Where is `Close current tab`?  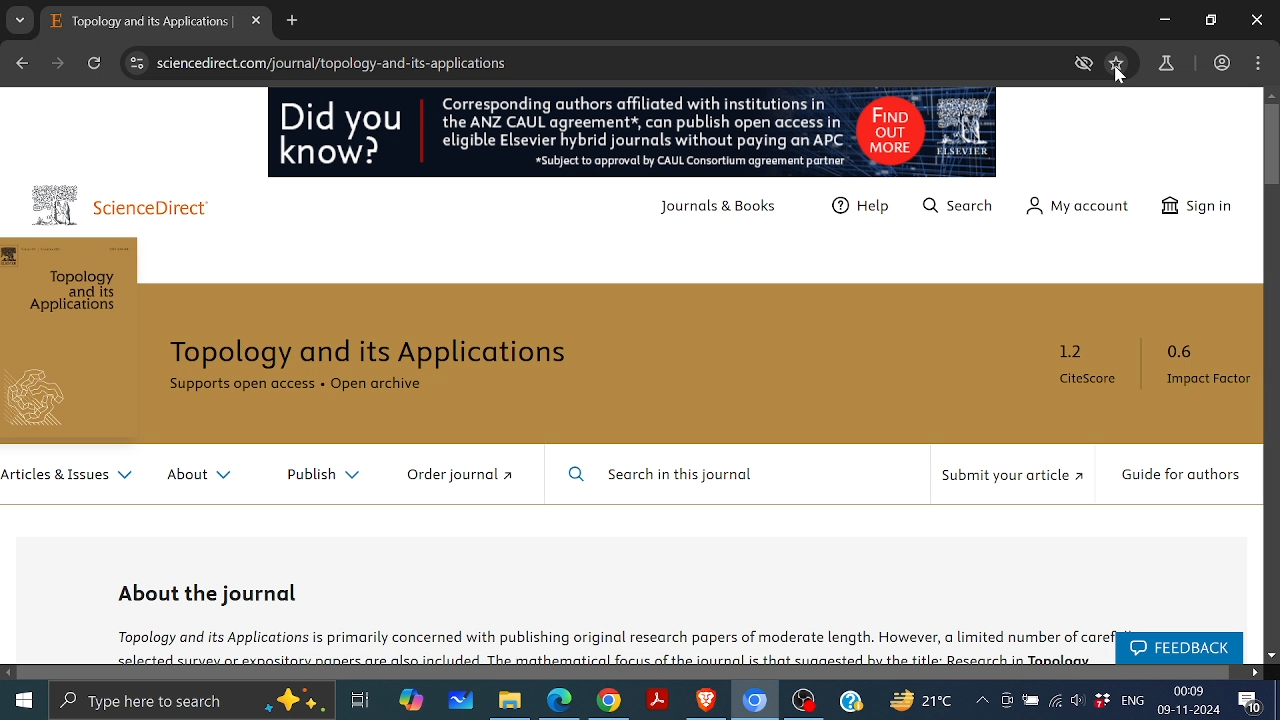 Close current tab is located at coordinates (255, 21).